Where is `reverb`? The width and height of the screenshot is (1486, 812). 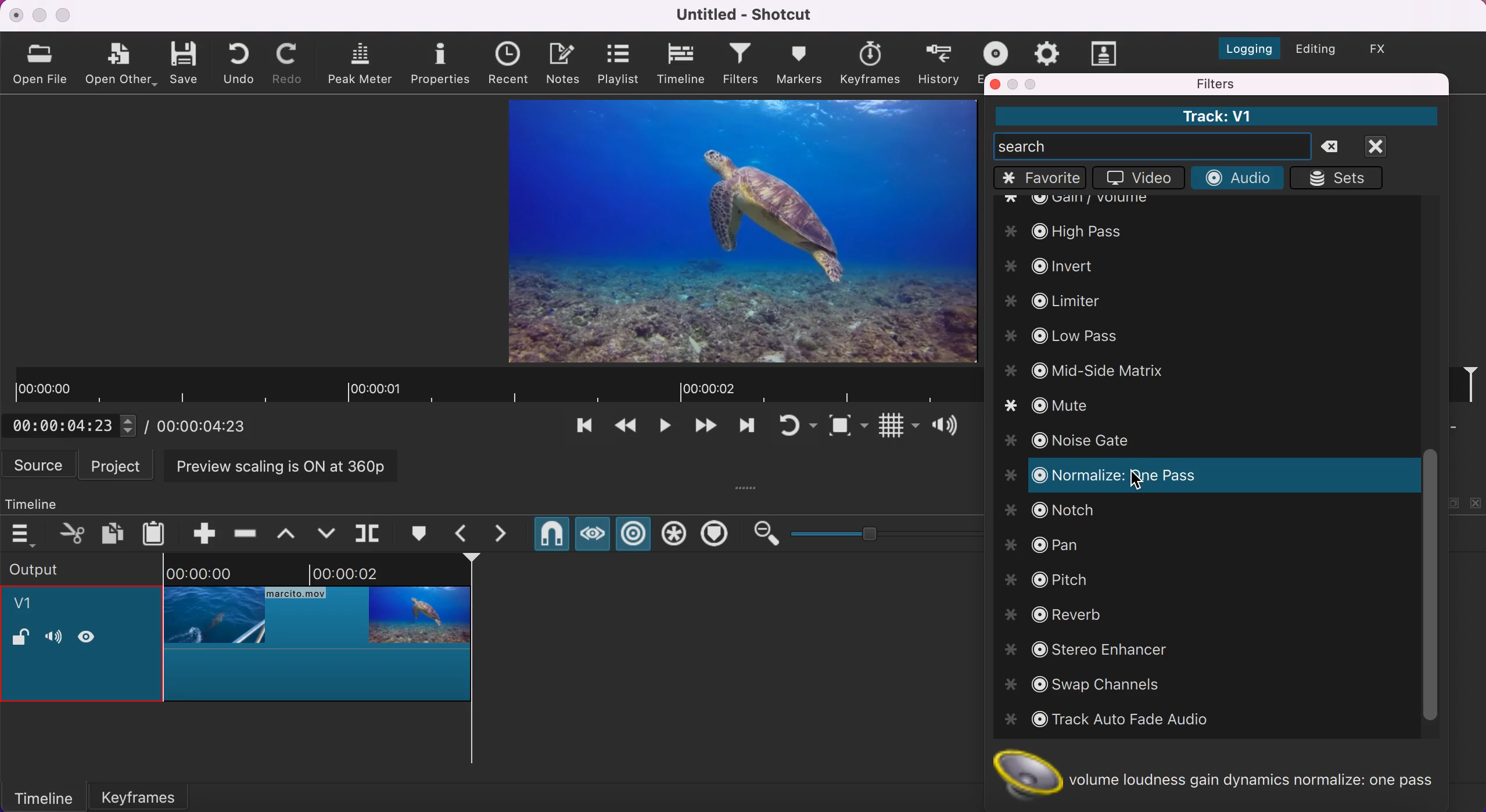
reverb is located at coordinates (1061, 614).